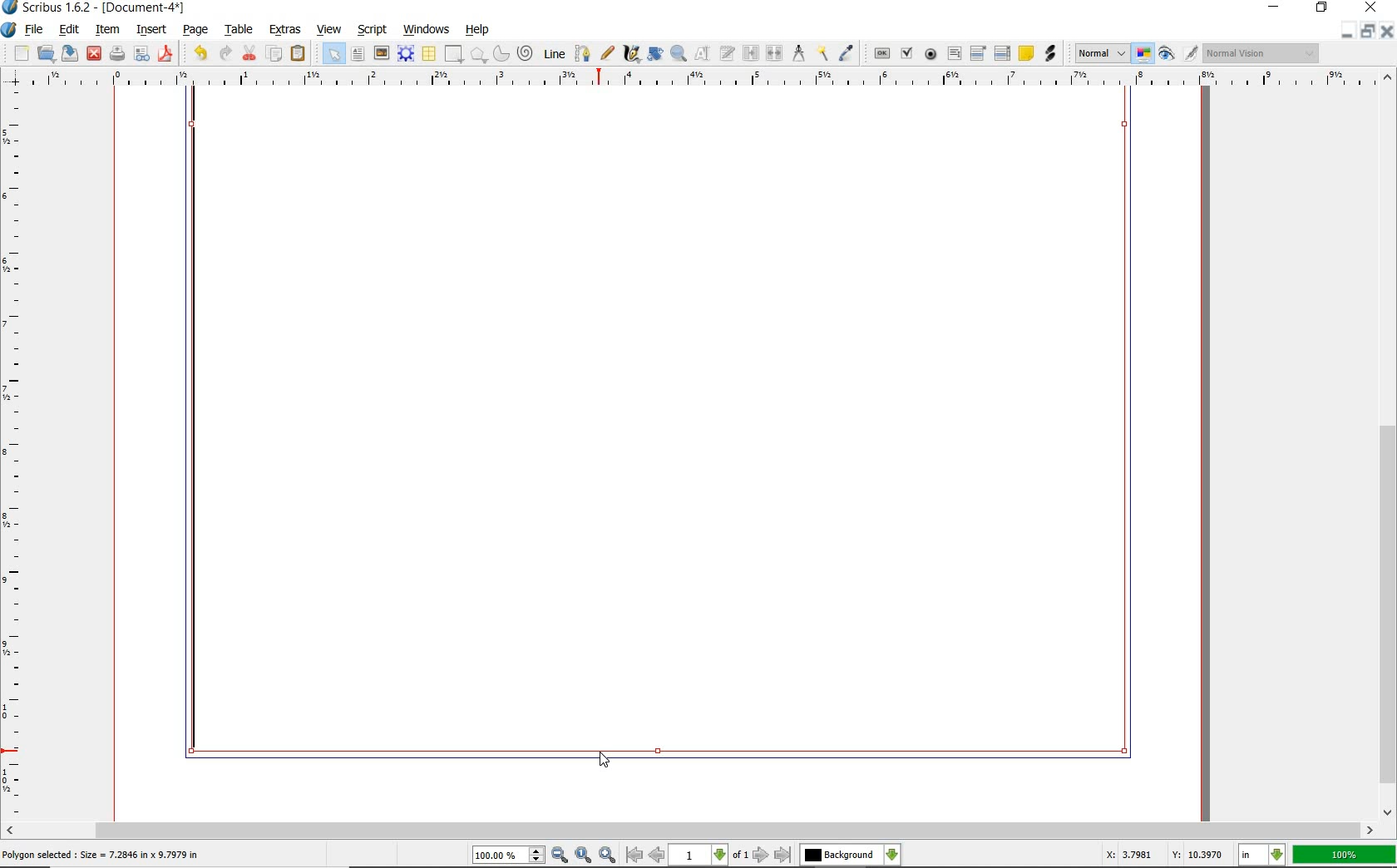 This screenshot has height=868, width=1397. Describe the element at coordinates (250, 52) in the screenshot. I see `cut` at that location.